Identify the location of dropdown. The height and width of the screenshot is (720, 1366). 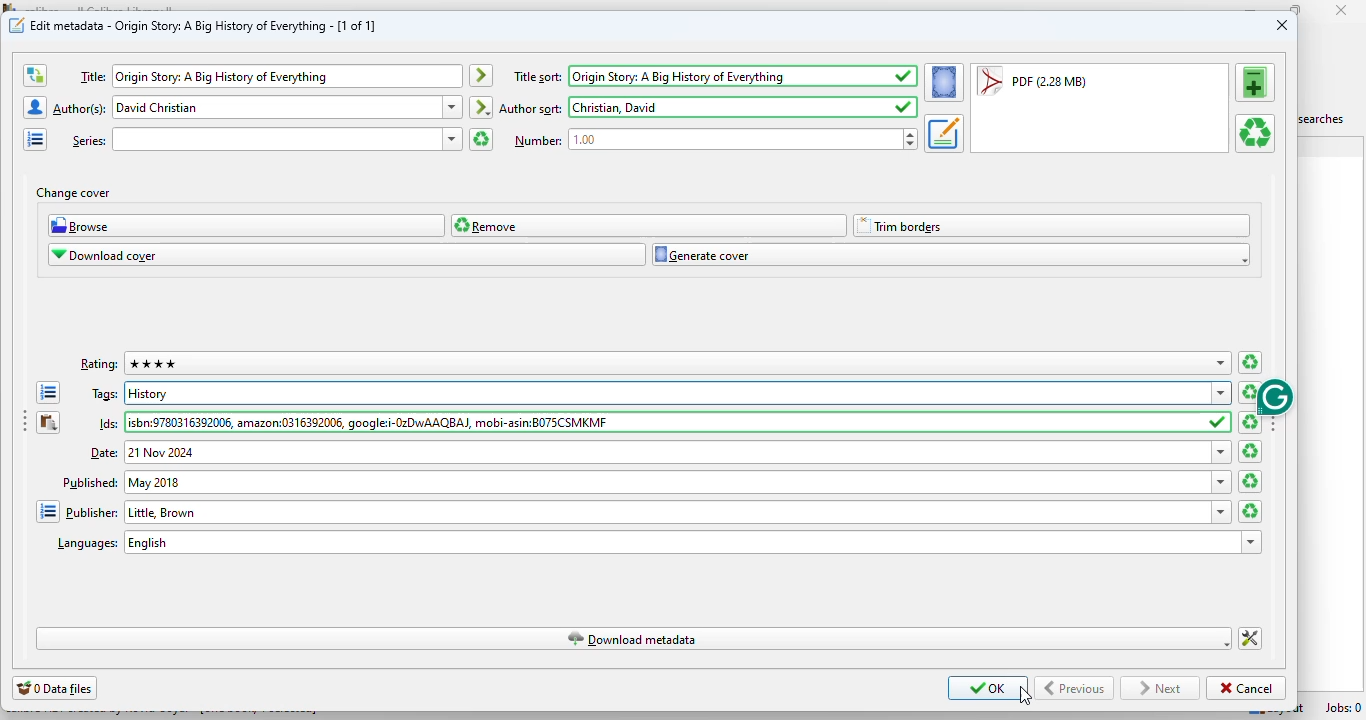
(452, 139).